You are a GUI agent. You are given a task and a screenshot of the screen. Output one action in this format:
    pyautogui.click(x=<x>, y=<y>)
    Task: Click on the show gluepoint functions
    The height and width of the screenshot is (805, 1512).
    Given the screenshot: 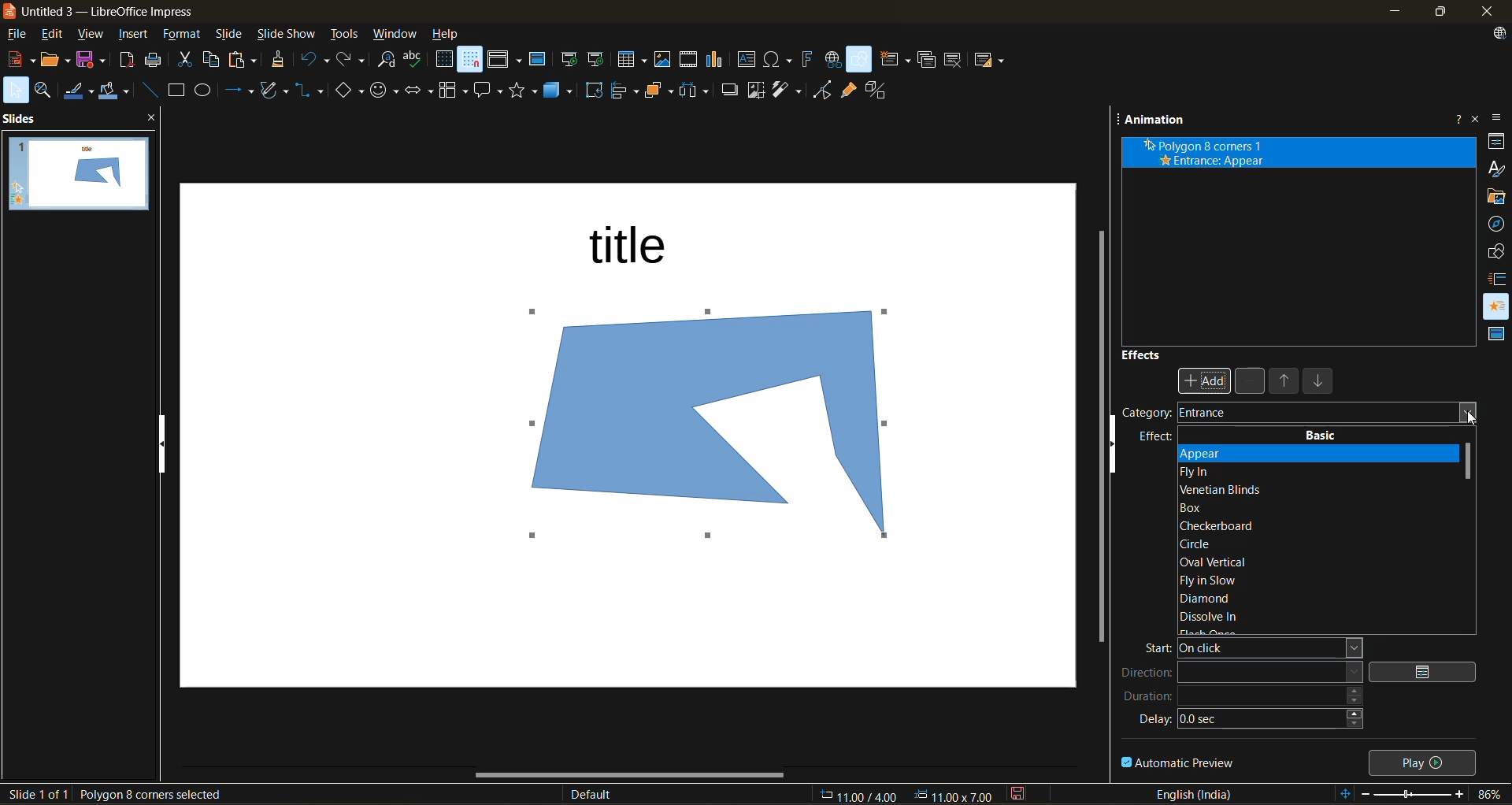 What is the action you would take?
    pyautogui.click(x=848, y=91)
    